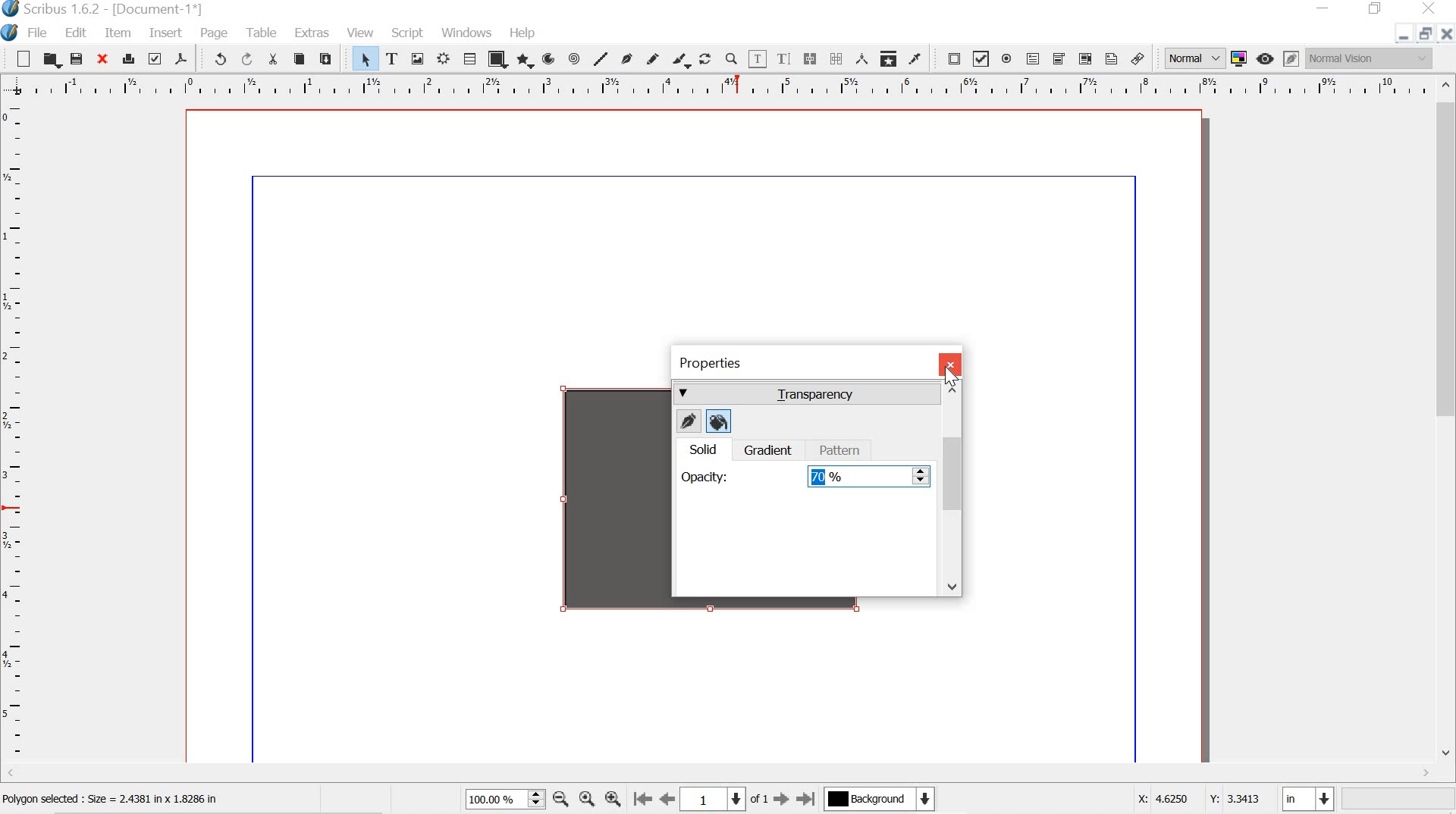 The width and height of the screenshot is (1456, 814). Describe the element at coordinates (861, 58) in the screenshot. I see `measurements` at that location.